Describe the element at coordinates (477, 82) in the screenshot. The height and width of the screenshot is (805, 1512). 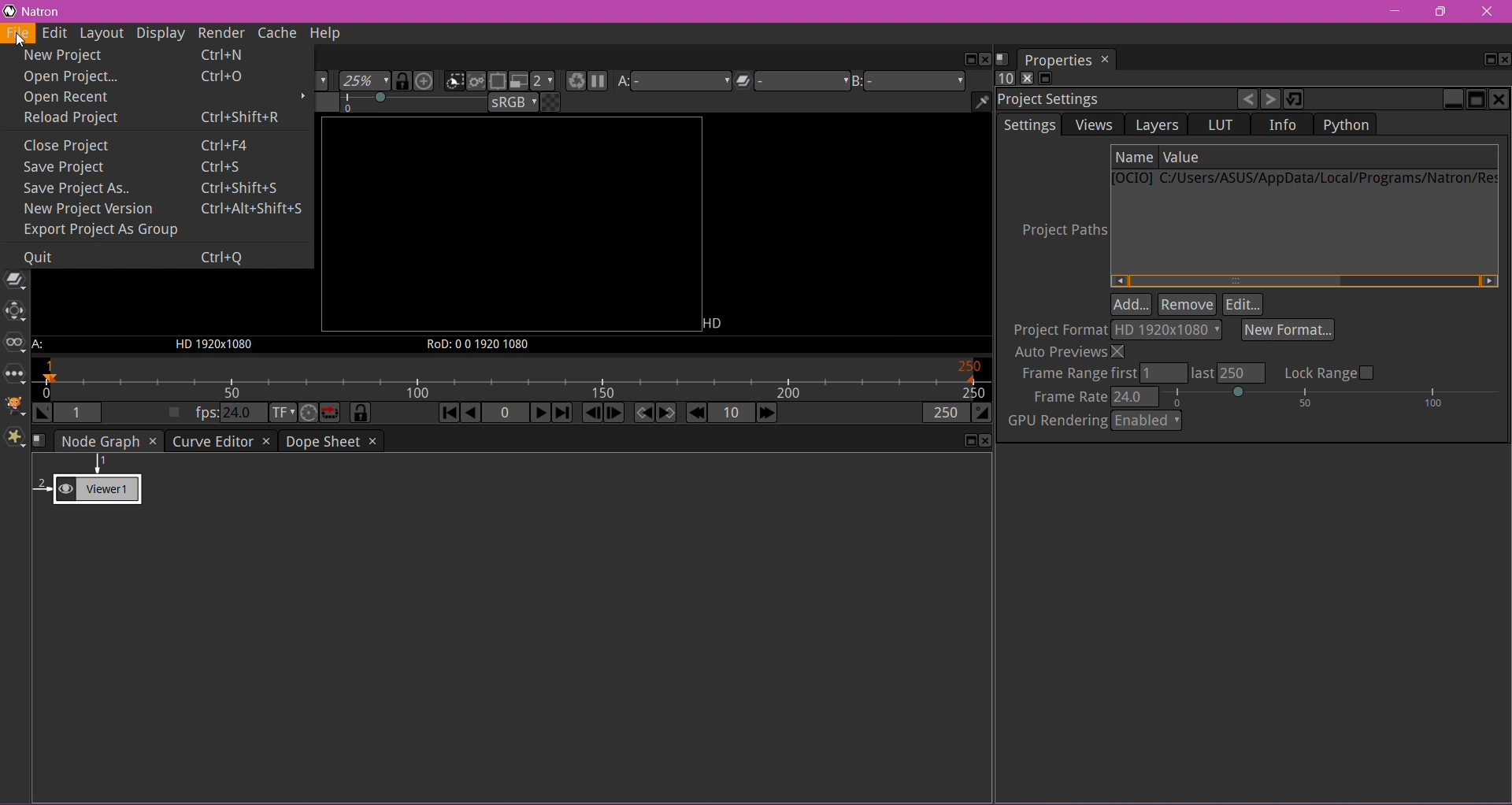
I see `When checked, the viewer will render the image in its entirety and not just the visible portion ` at that location.